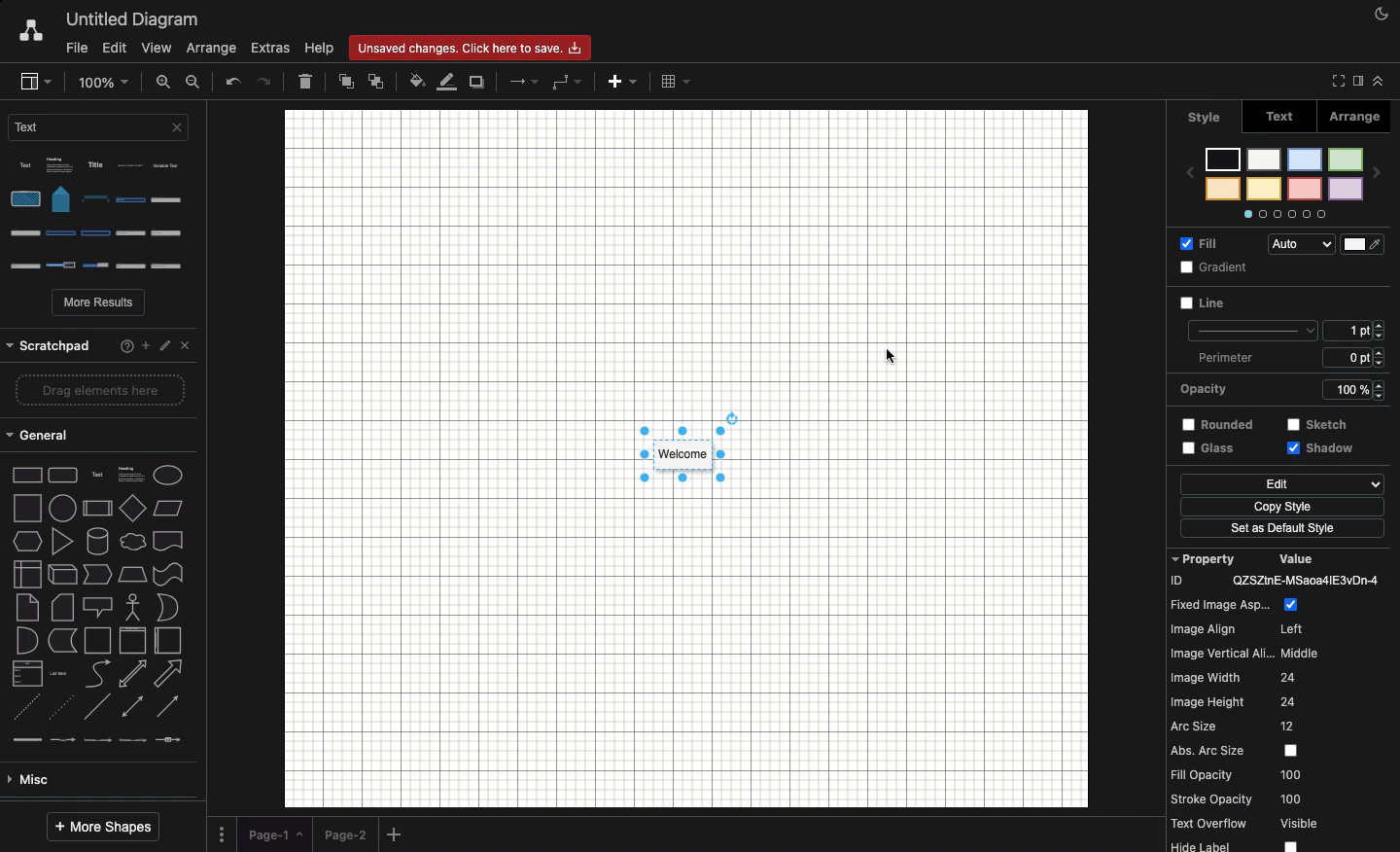  Describe the element at coordinates (99, 397) in the screenshot. I see `2d shapes` at that location.